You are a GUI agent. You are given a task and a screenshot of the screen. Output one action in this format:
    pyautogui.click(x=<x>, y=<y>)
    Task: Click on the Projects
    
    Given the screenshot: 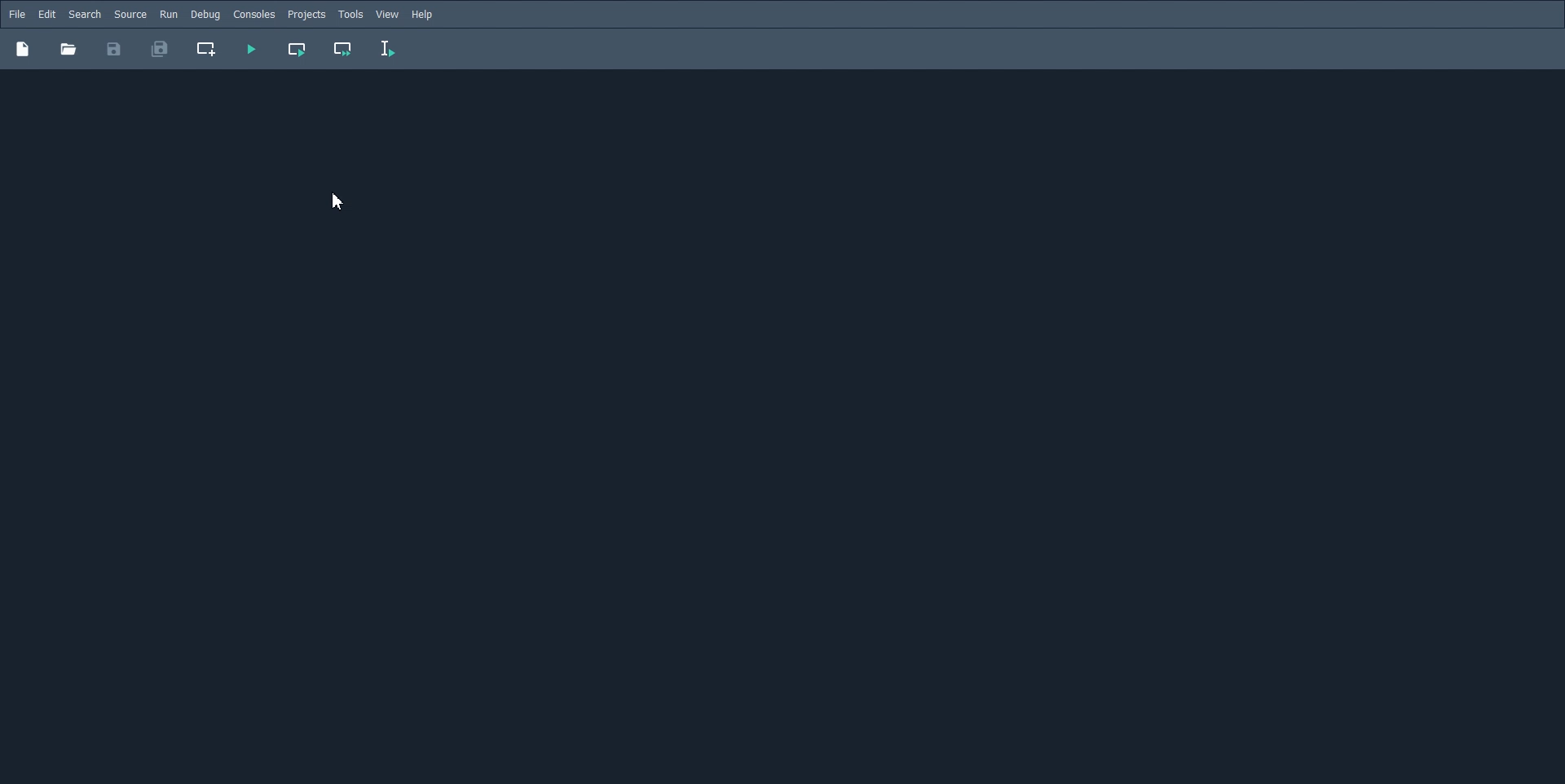 What is the action you would take?
    pyautogui.click(x=306, y=15)
    